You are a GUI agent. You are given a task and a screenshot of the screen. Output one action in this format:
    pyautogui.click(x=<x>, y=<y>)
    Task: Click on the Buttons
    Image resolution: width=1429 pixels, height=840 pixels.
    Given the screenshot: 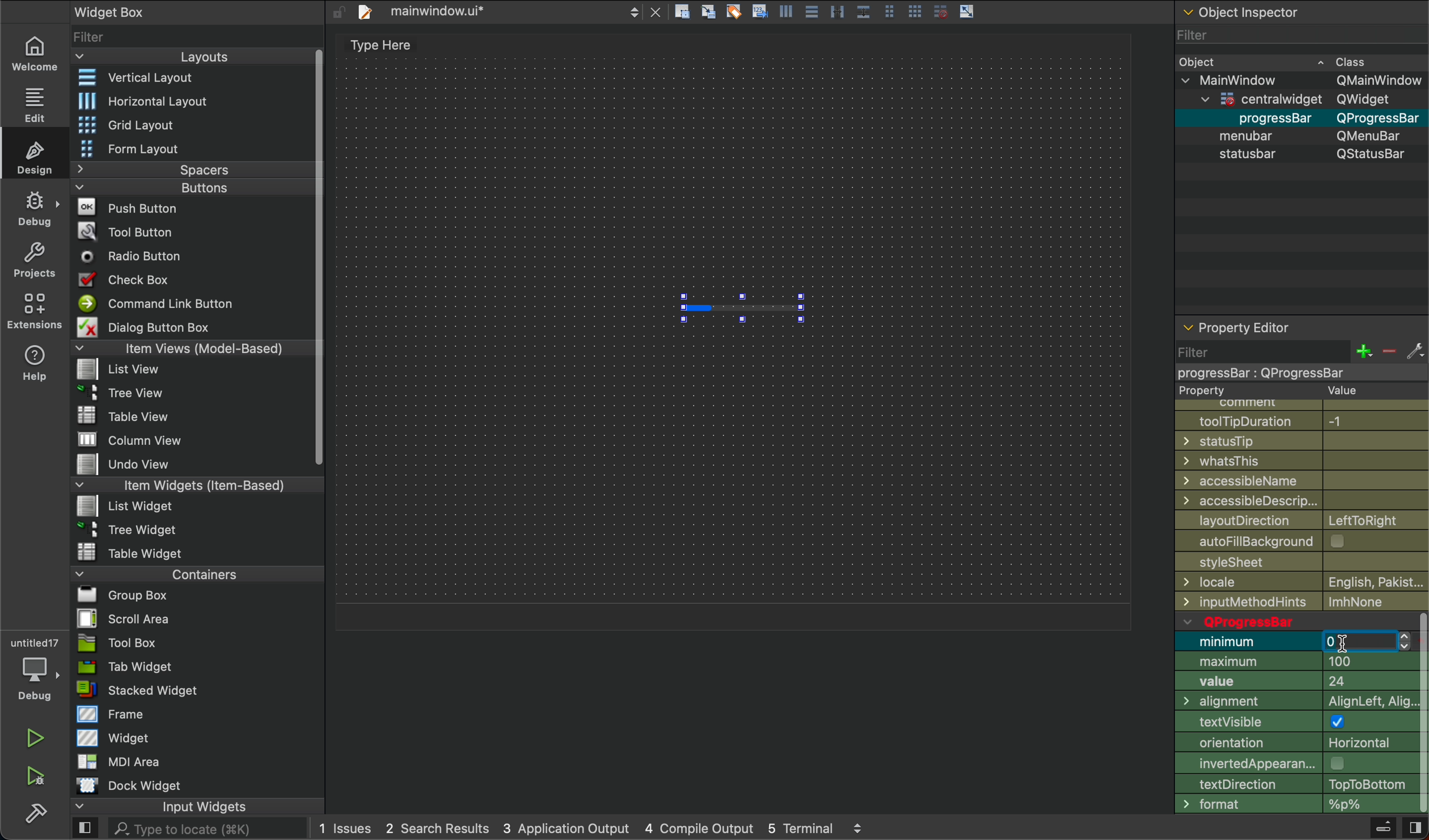 What is the action you would take?
    pyautogui.click(x=171, y=188)
    